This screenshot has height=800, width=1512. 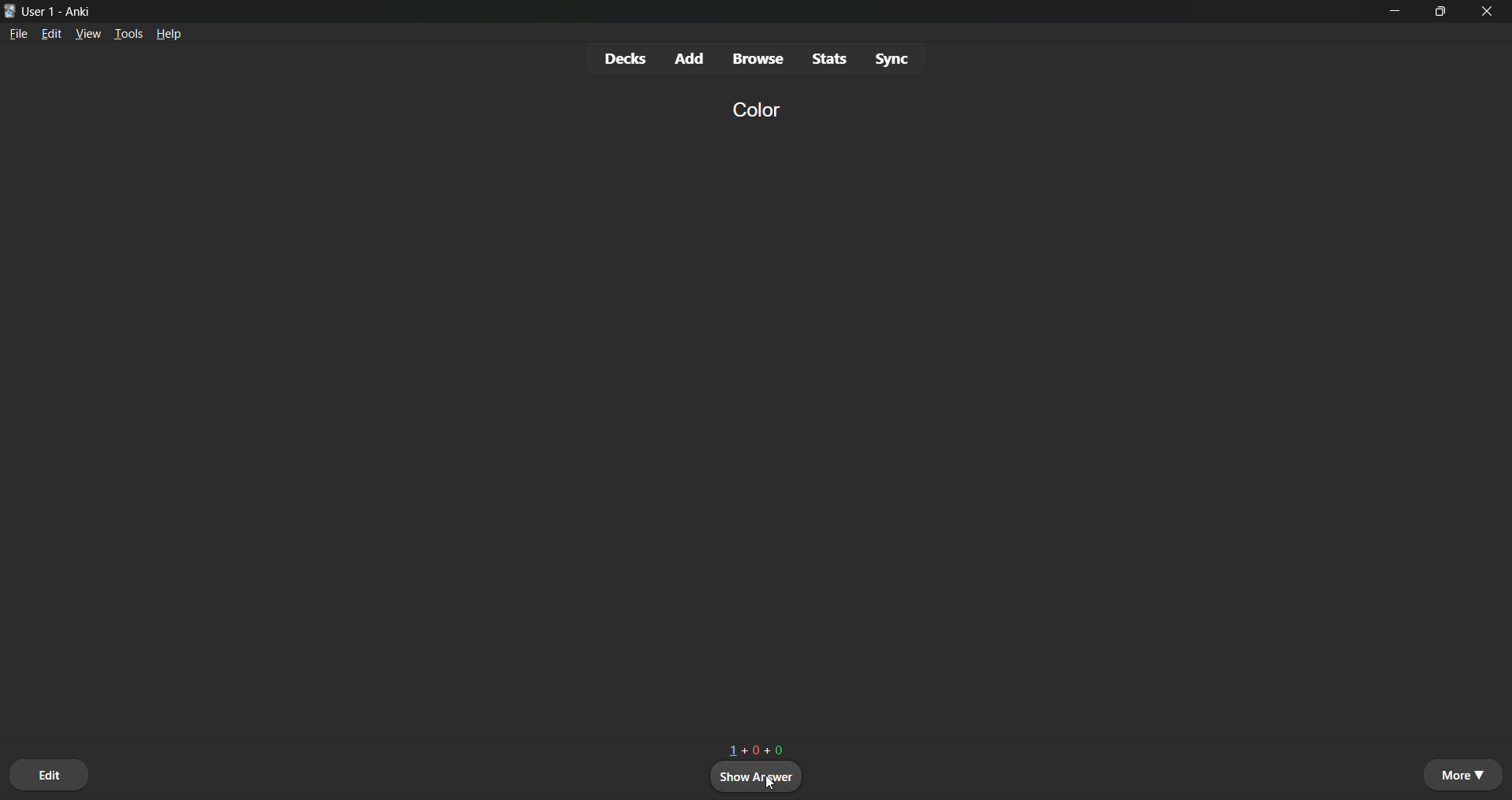 What do you see at coordinates (51, 36) in the screenshot?
I see `edit` at bounding box center [51, 36].